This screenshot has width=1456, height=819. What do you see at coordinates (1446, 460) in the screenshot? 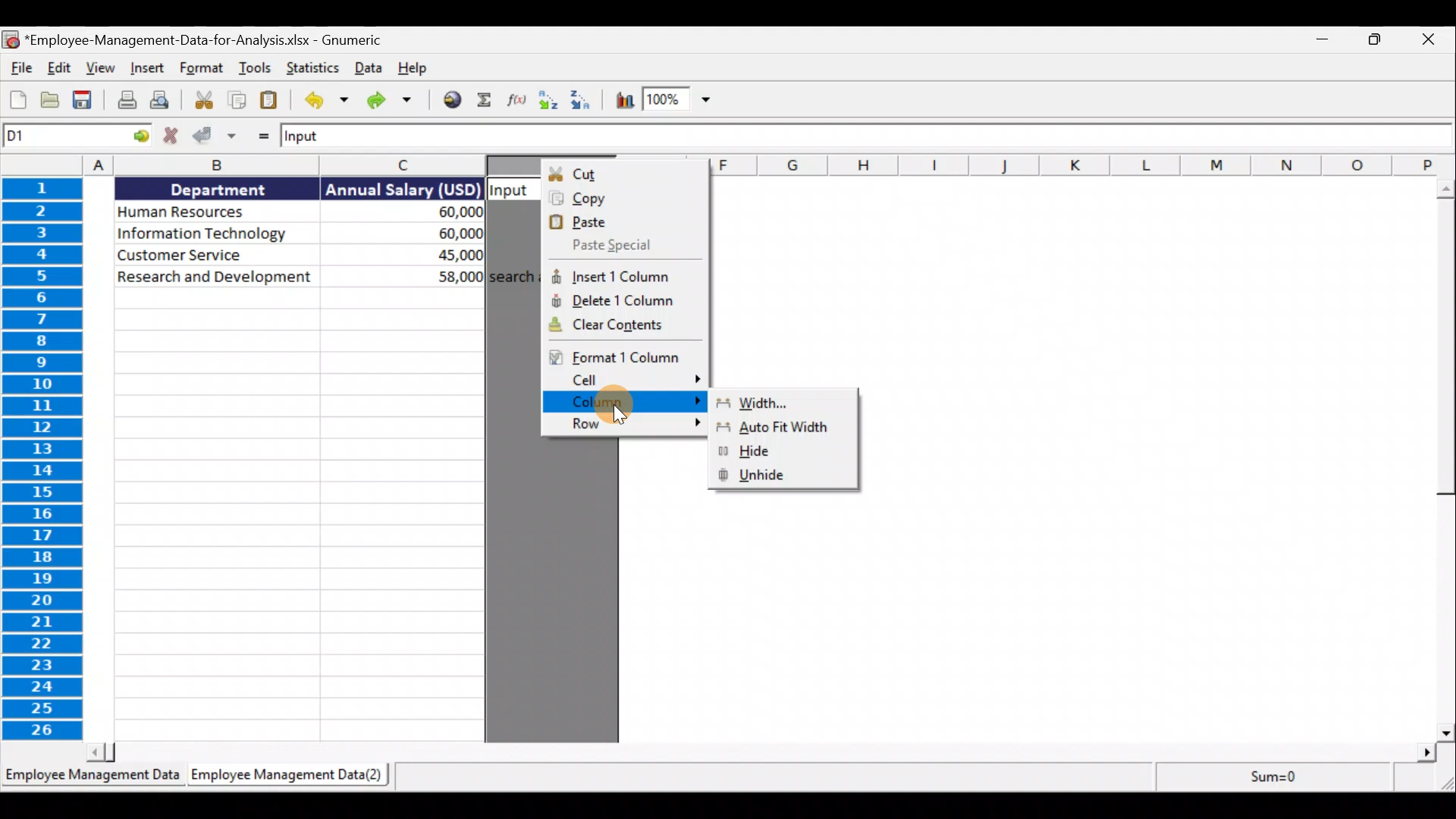
I see `Scroll bar` at bounding box center [1446, 460].